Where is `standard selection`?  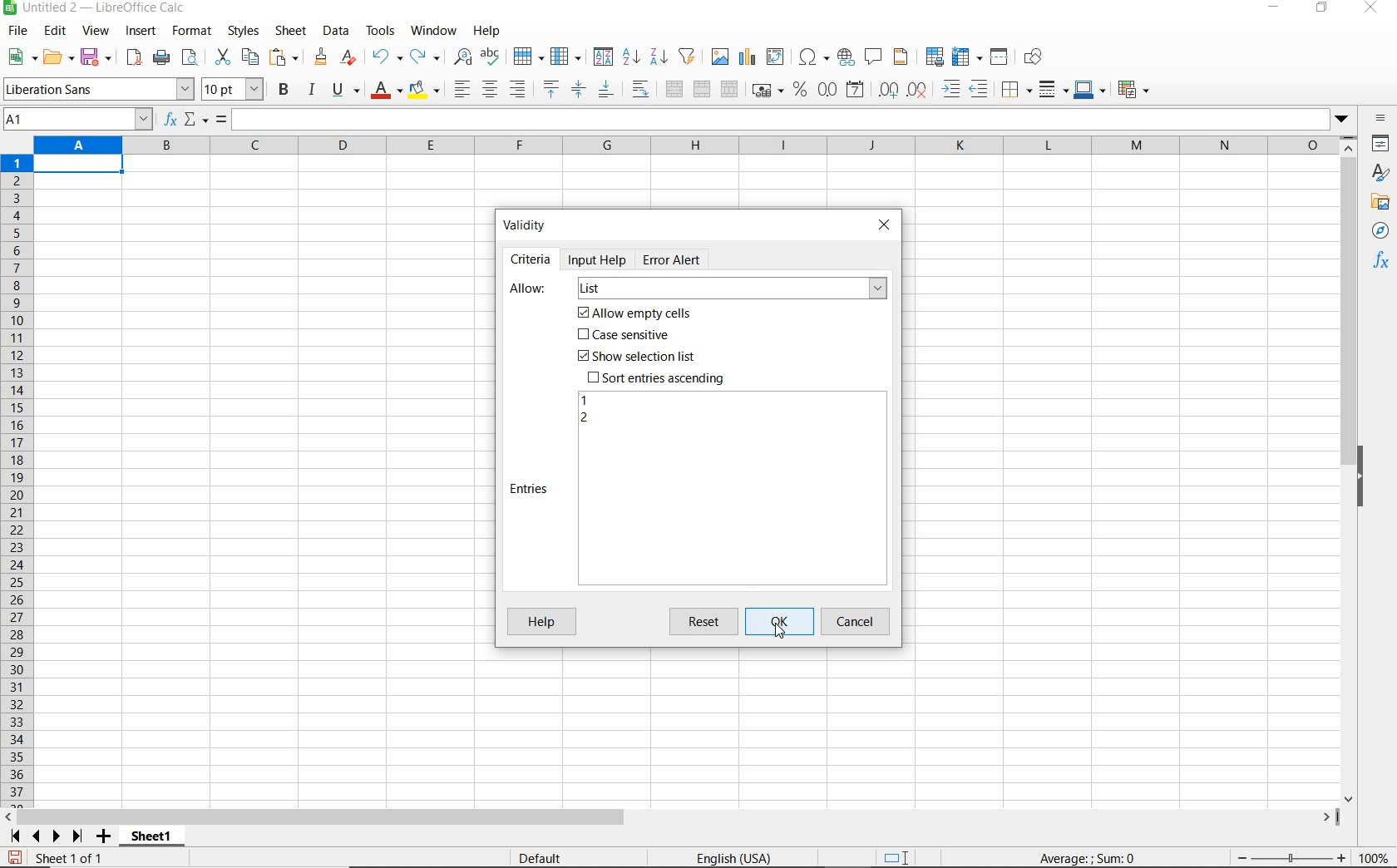 standard selection is located at coordinates (897, 859).